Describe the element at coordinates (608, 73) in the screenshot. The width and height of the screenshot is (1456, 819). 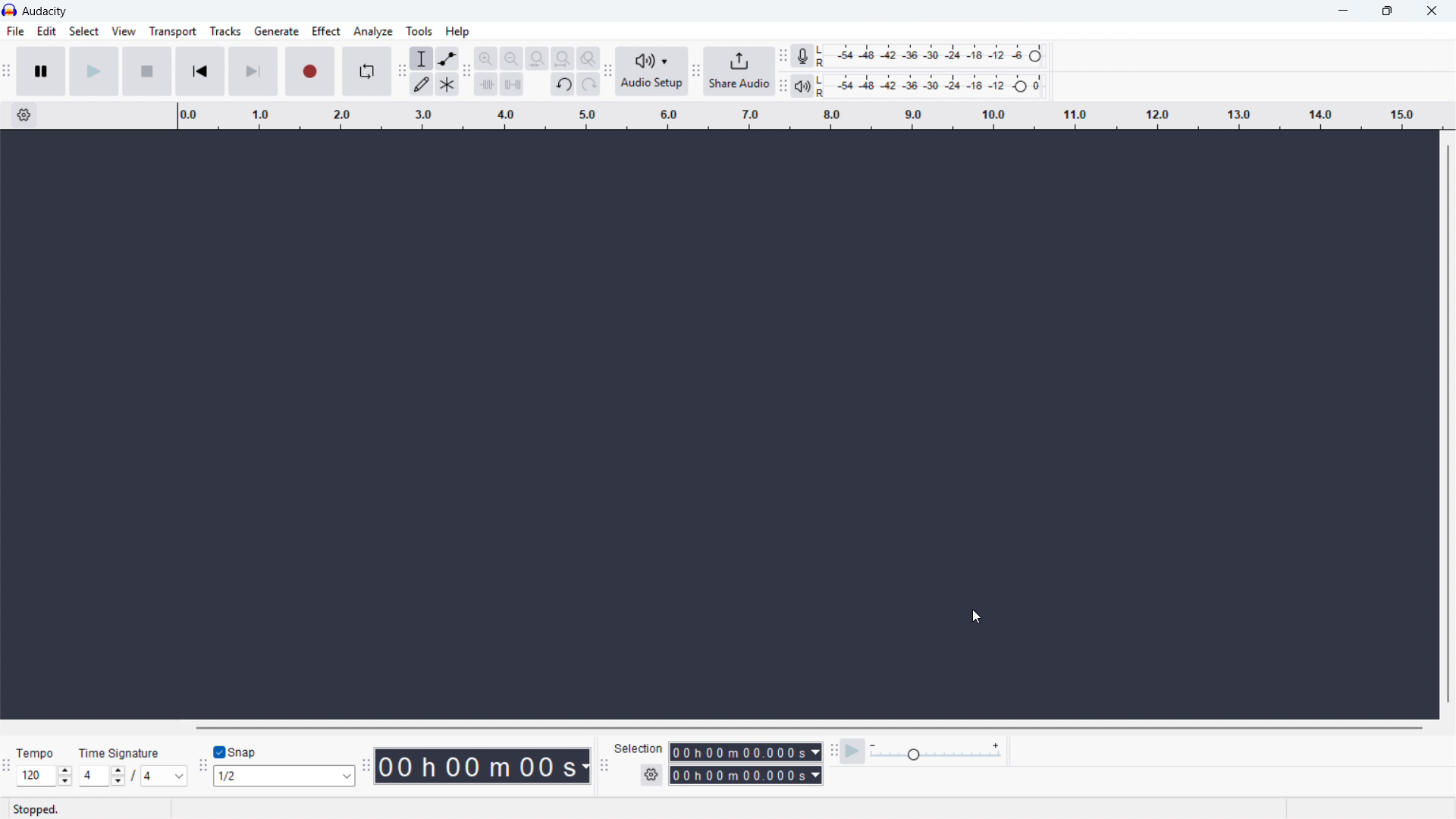
I see `audio setup toolbar` at that location.